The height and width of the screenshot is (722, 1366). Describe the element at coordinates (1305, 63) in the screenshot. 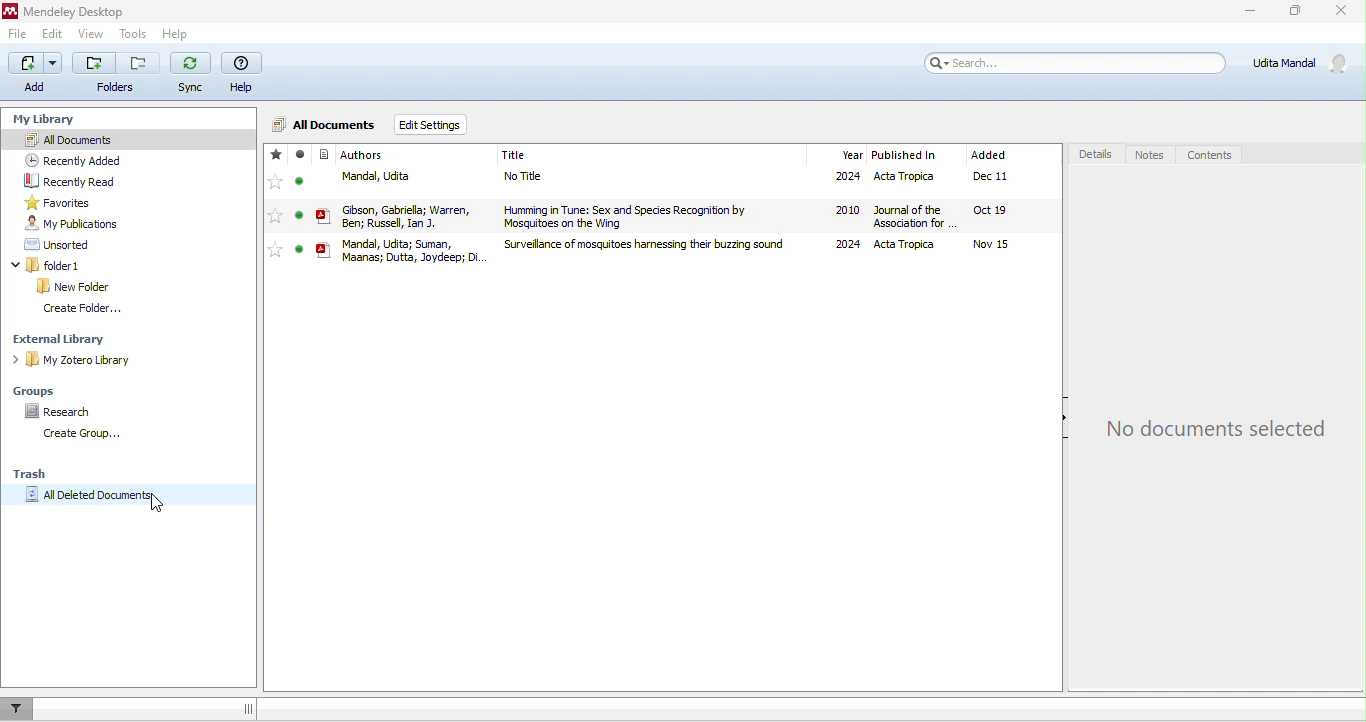

I see `Udita Mandal` at that location.